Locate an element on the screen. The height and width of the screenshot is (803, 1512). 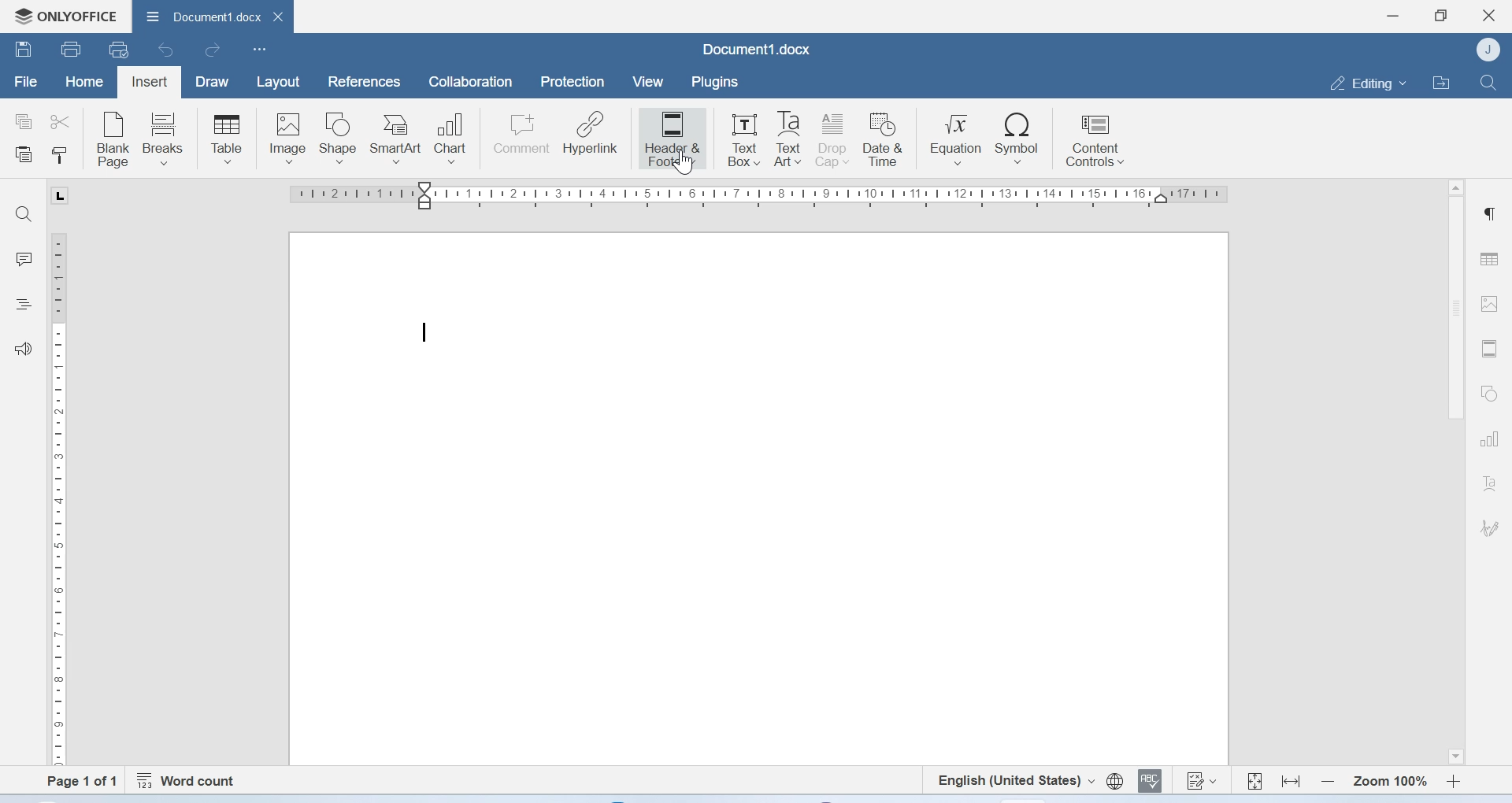
uick print is located at coordinates (121, 50).